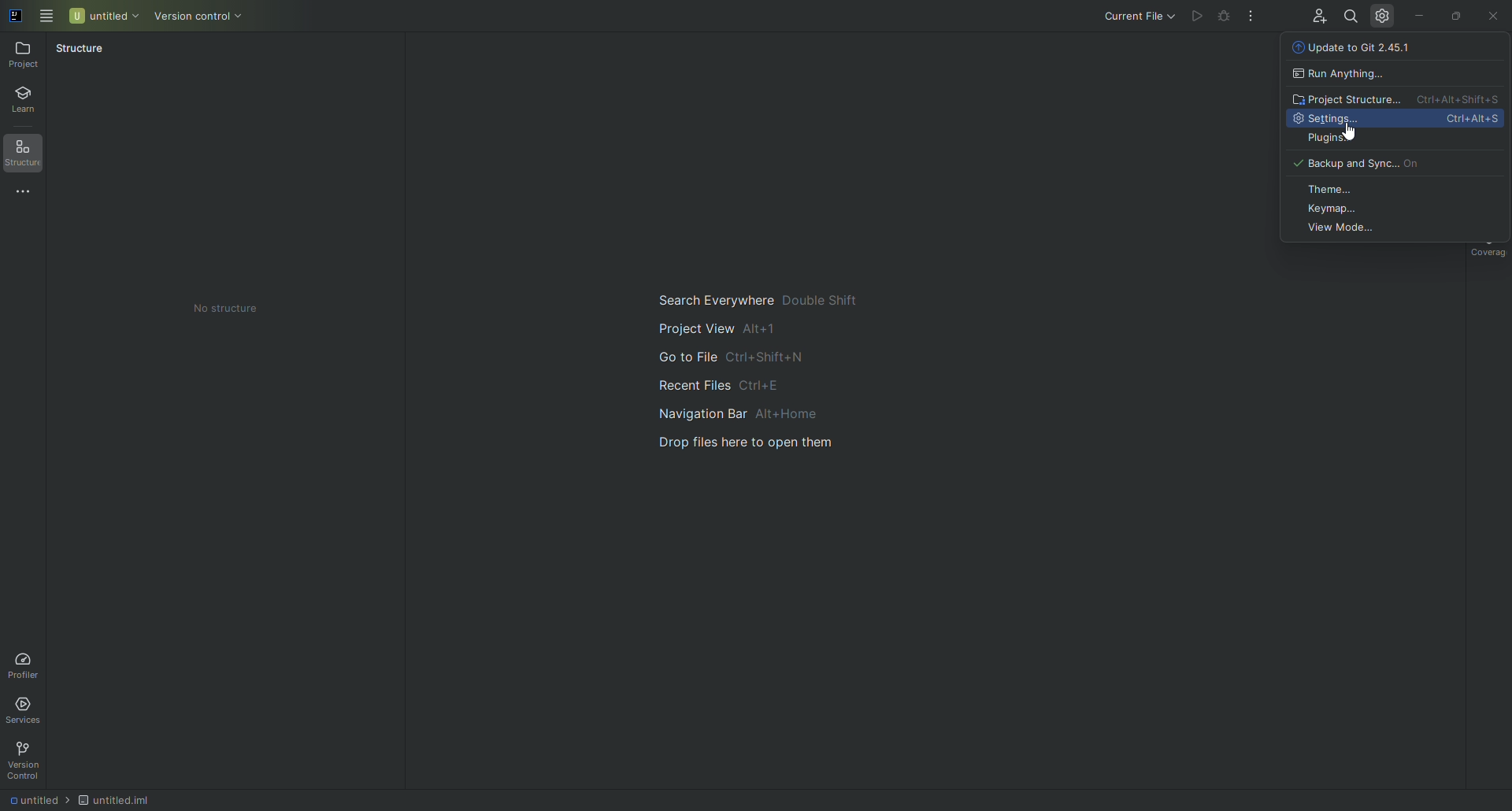 This screenshot has width=1512, height=811. What do you see at coordinates (27, 101) in the screenshot?
I see `Learn` at bounding box center [27, 101].